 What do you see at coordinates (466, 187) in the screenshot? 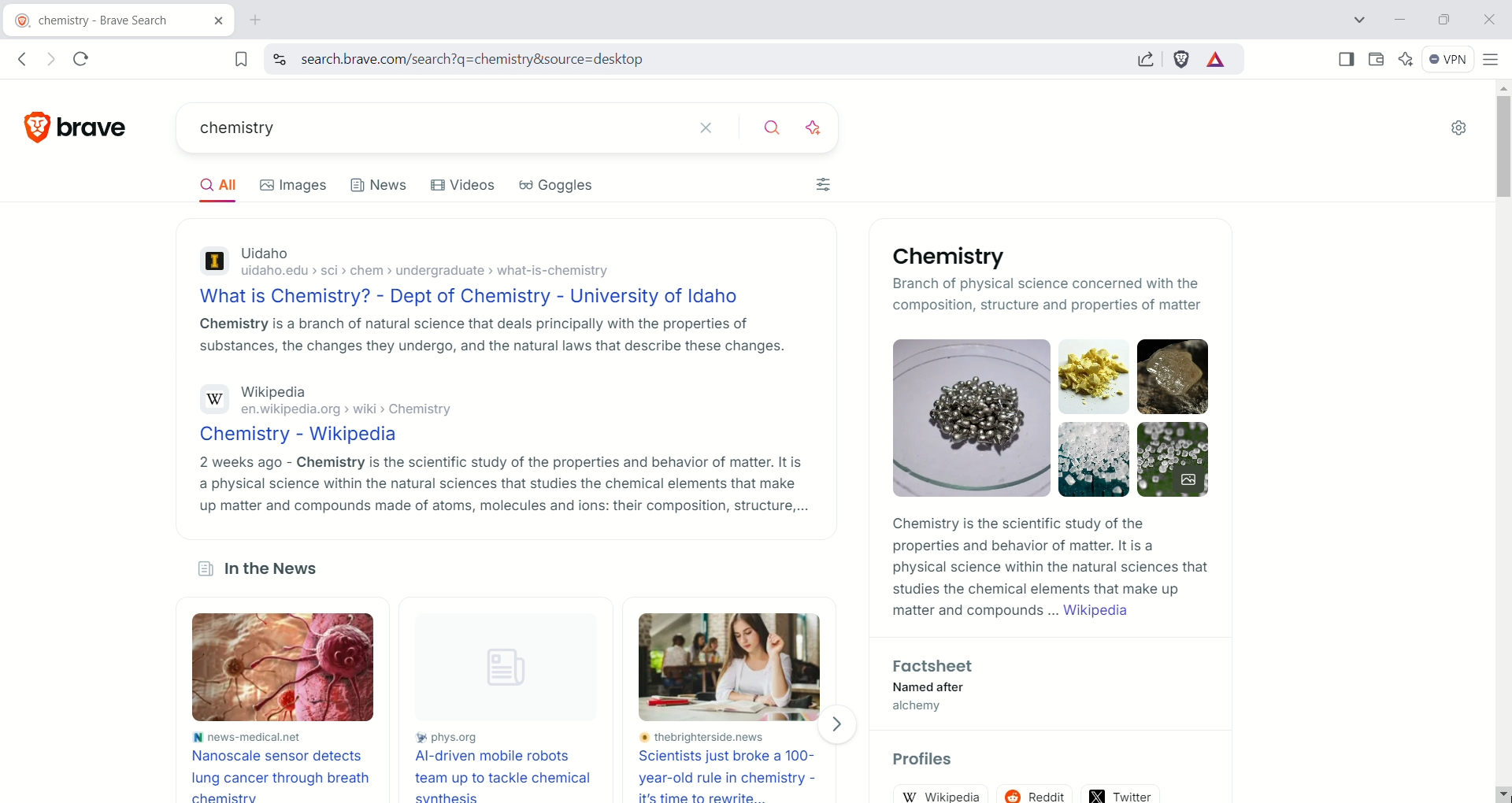
I see `Videos` at bounding box center [466, 187].